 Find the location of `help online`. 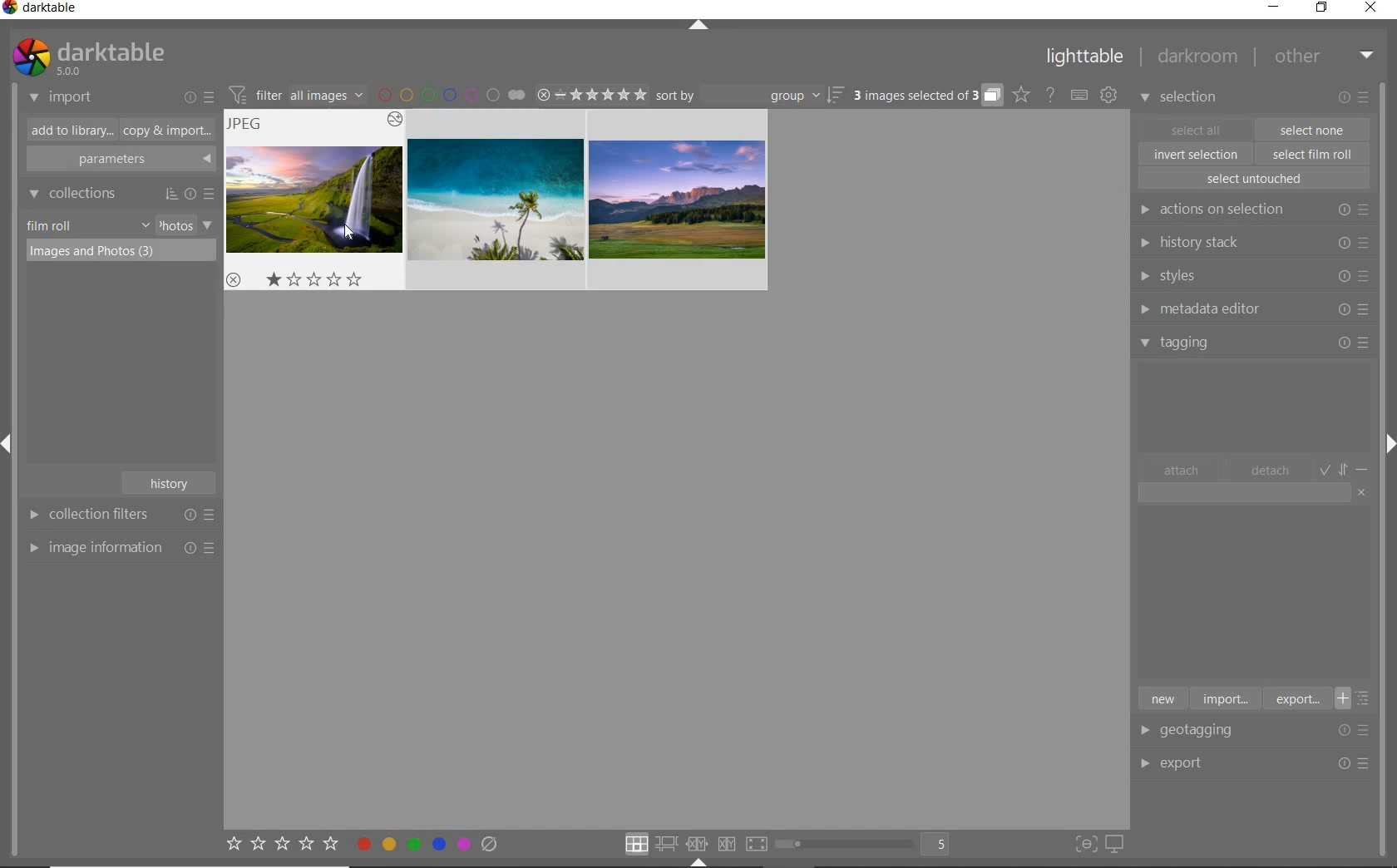

help online is located at coordinates (1050, 94).